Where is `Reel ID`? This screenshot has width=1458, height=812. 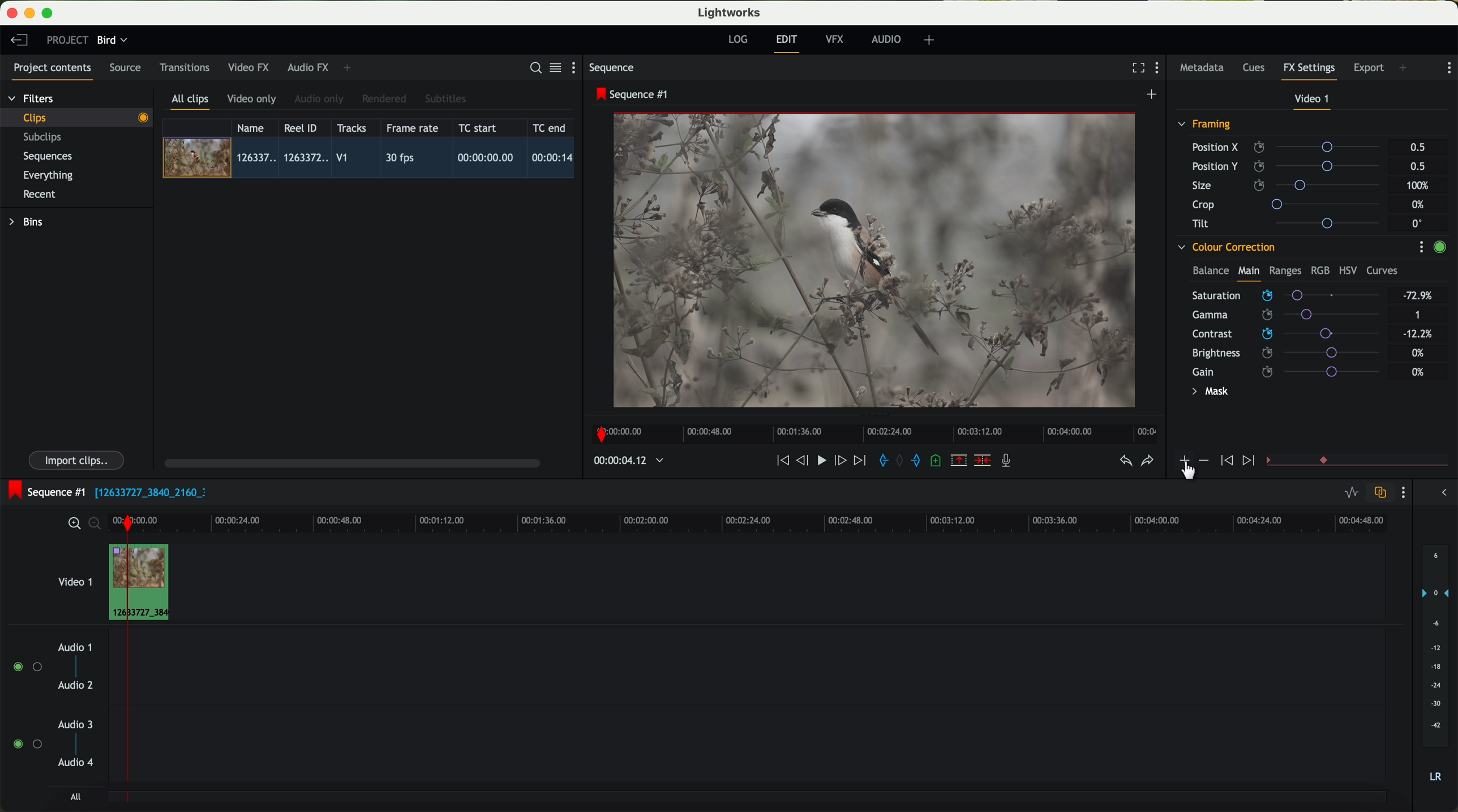
Reel ID is located at coordinates (303, 127).